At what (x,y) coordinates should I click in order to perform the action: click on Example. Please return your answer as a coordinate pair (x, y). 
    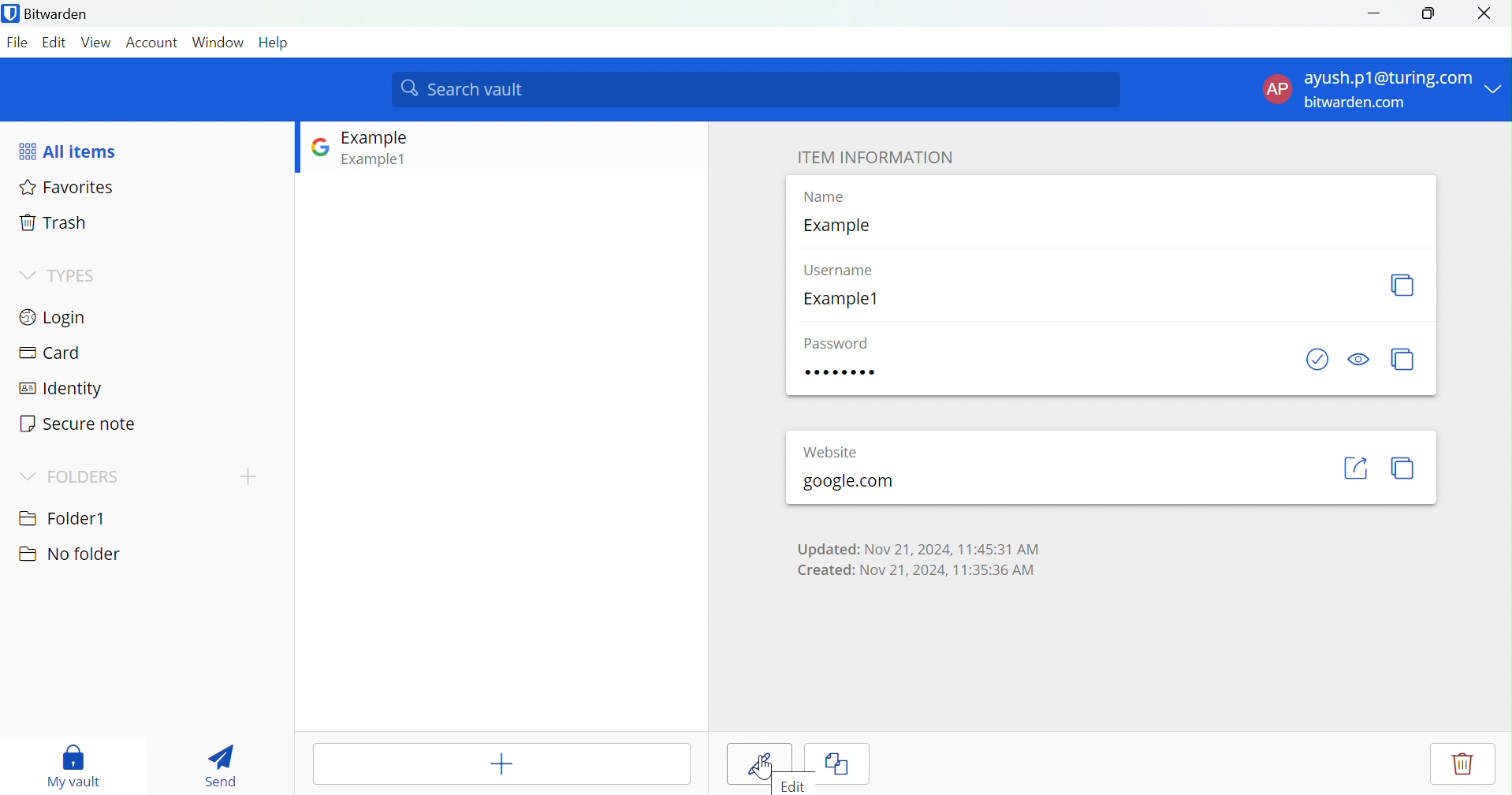
    Looking at the image, I should click on (836, 226).